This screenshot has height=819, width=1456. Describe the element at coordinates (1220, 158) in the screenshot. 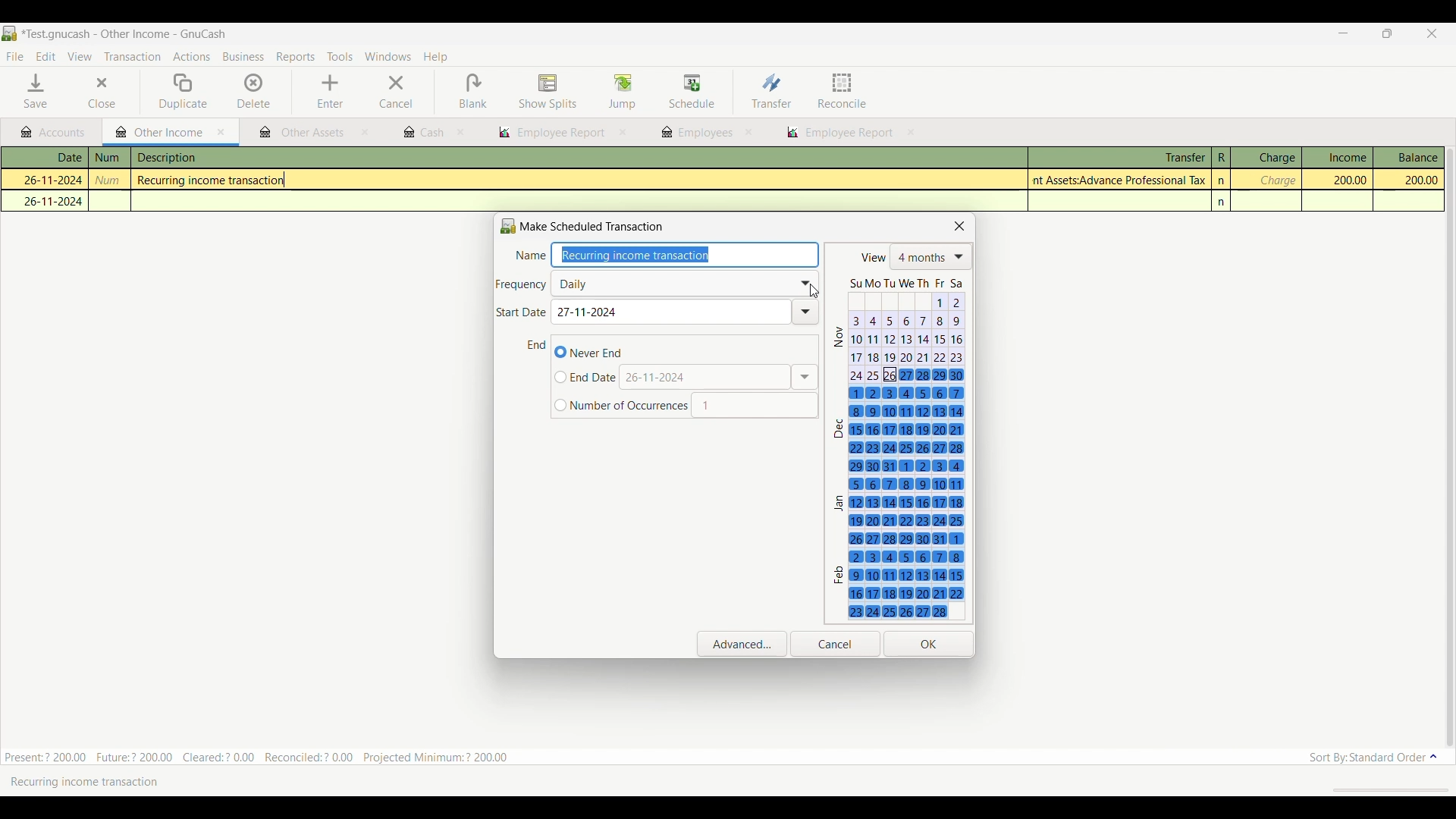

I see `R column` at that location.